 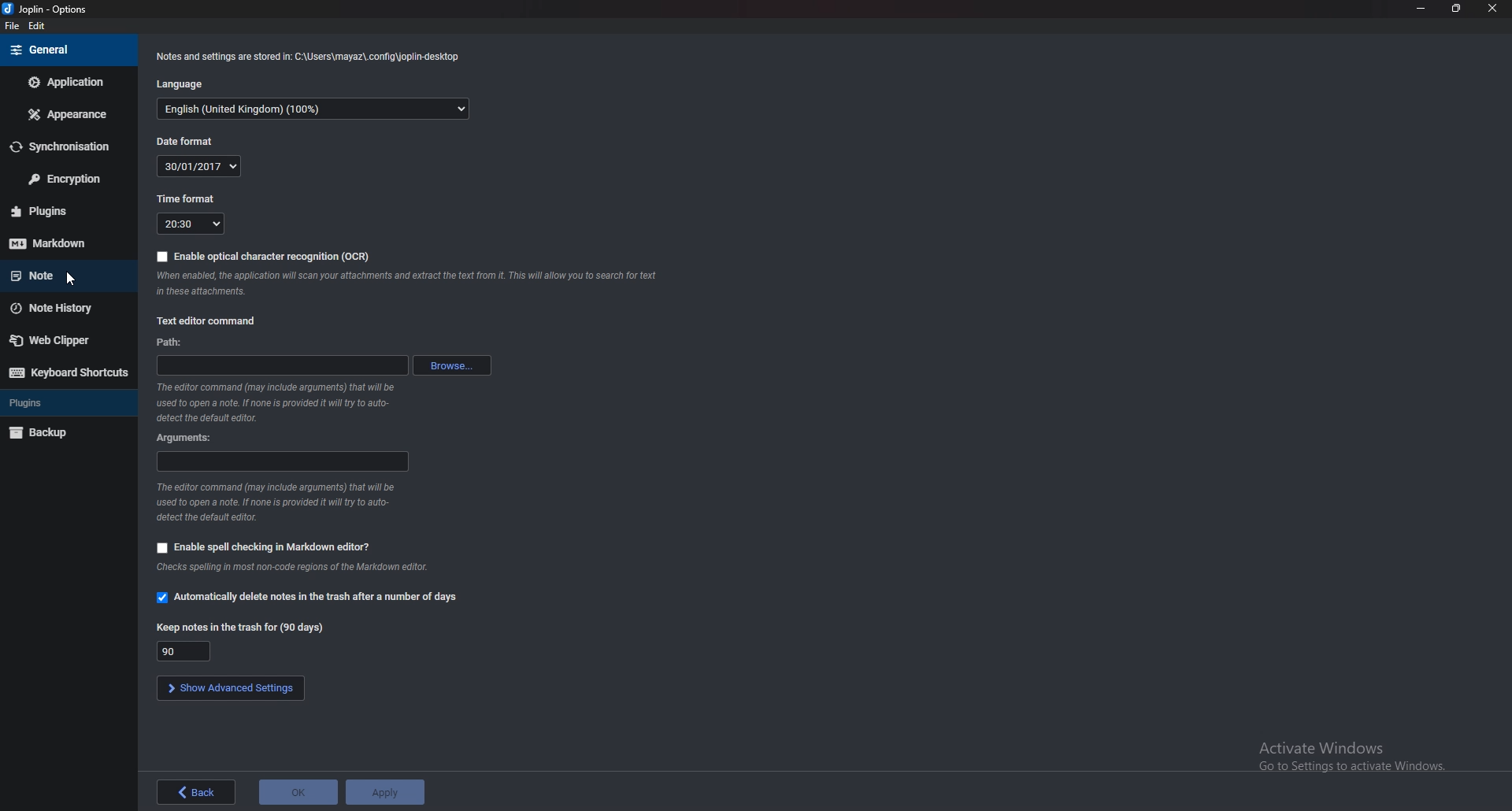 I want to click on info, so click(x=276, y=402).